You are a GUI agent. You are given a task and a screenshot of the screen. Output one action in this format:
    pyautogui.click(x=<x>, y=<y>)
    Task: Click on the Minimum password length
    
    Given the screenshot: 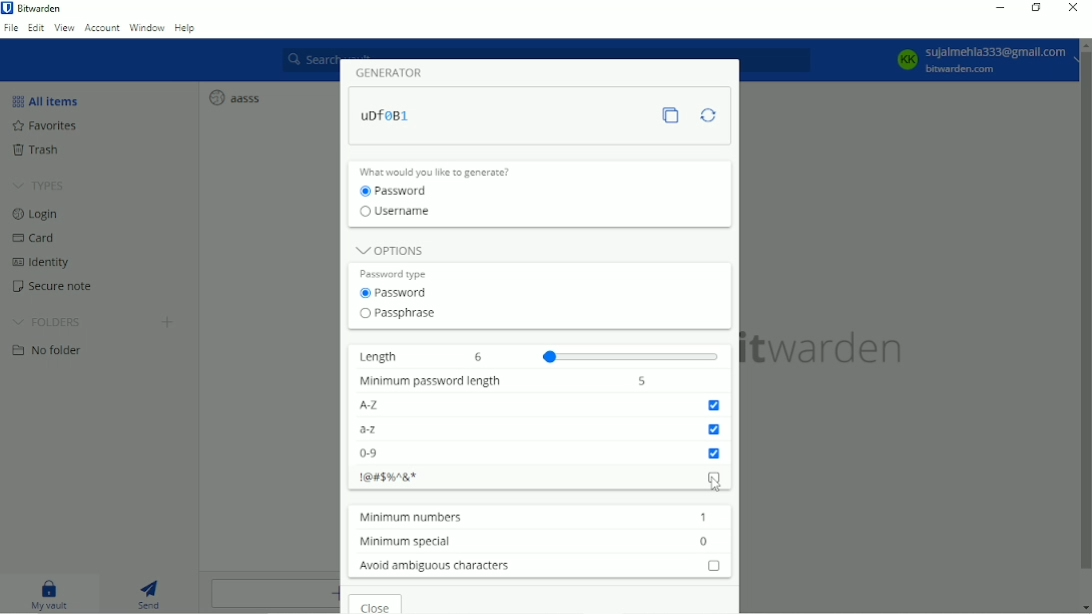 What is the action you would take?
    pyautogui.click(x=431, y=382)
    